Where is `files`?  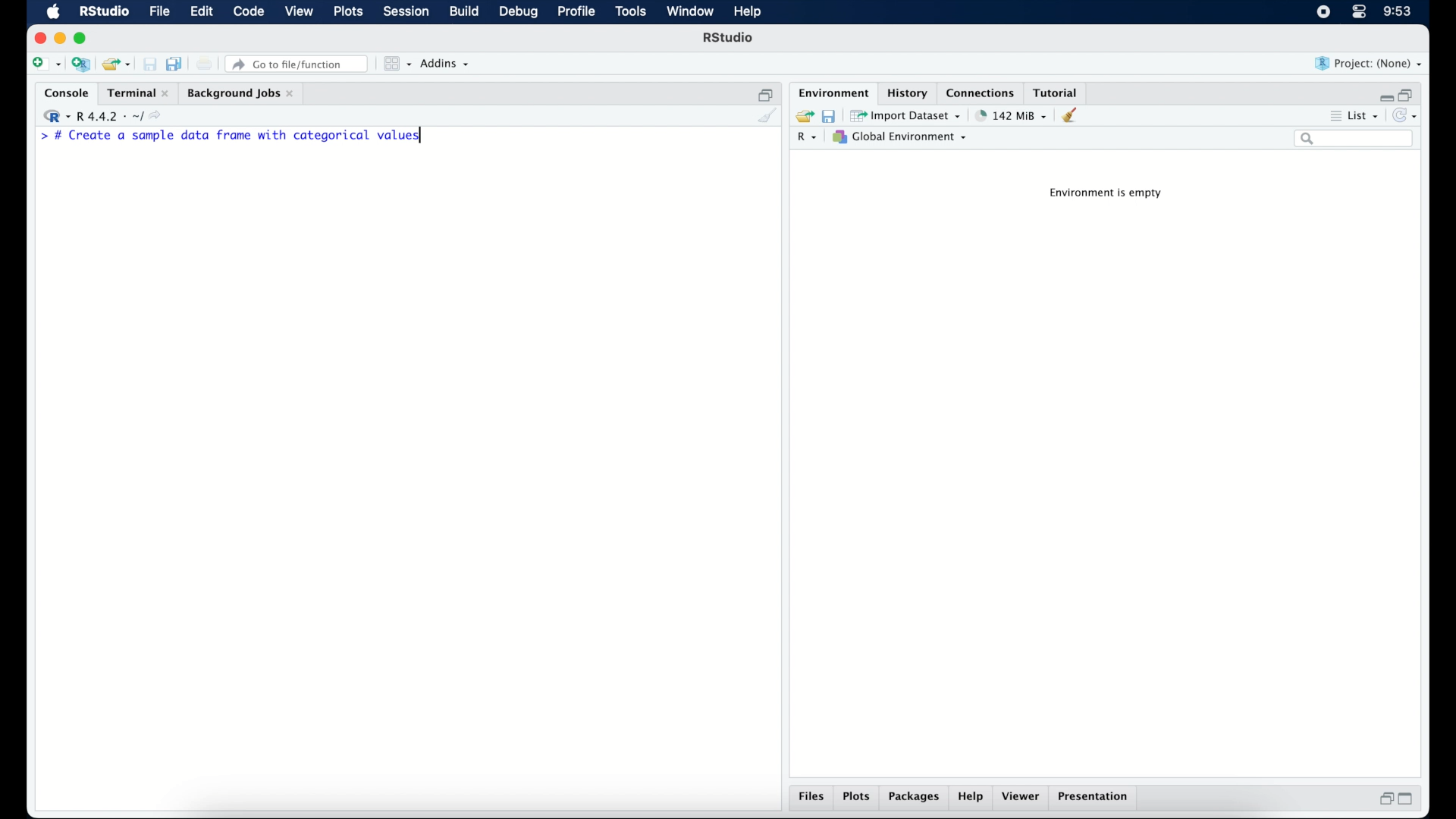 files is located at coordinates (810, 798).